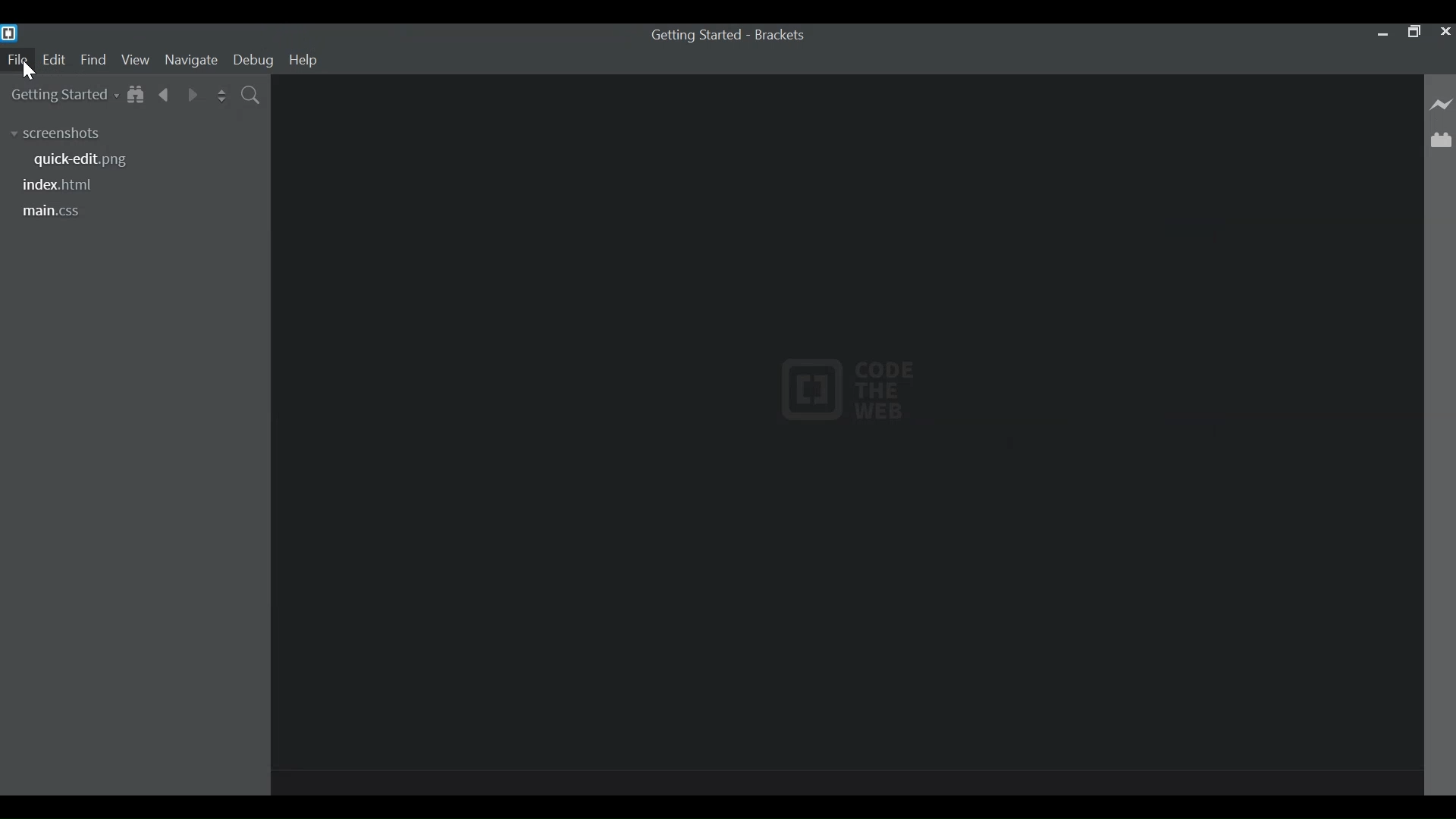  Describe the element at coordinates (62, 186) in the screenshot. I see `index.html` at that location.